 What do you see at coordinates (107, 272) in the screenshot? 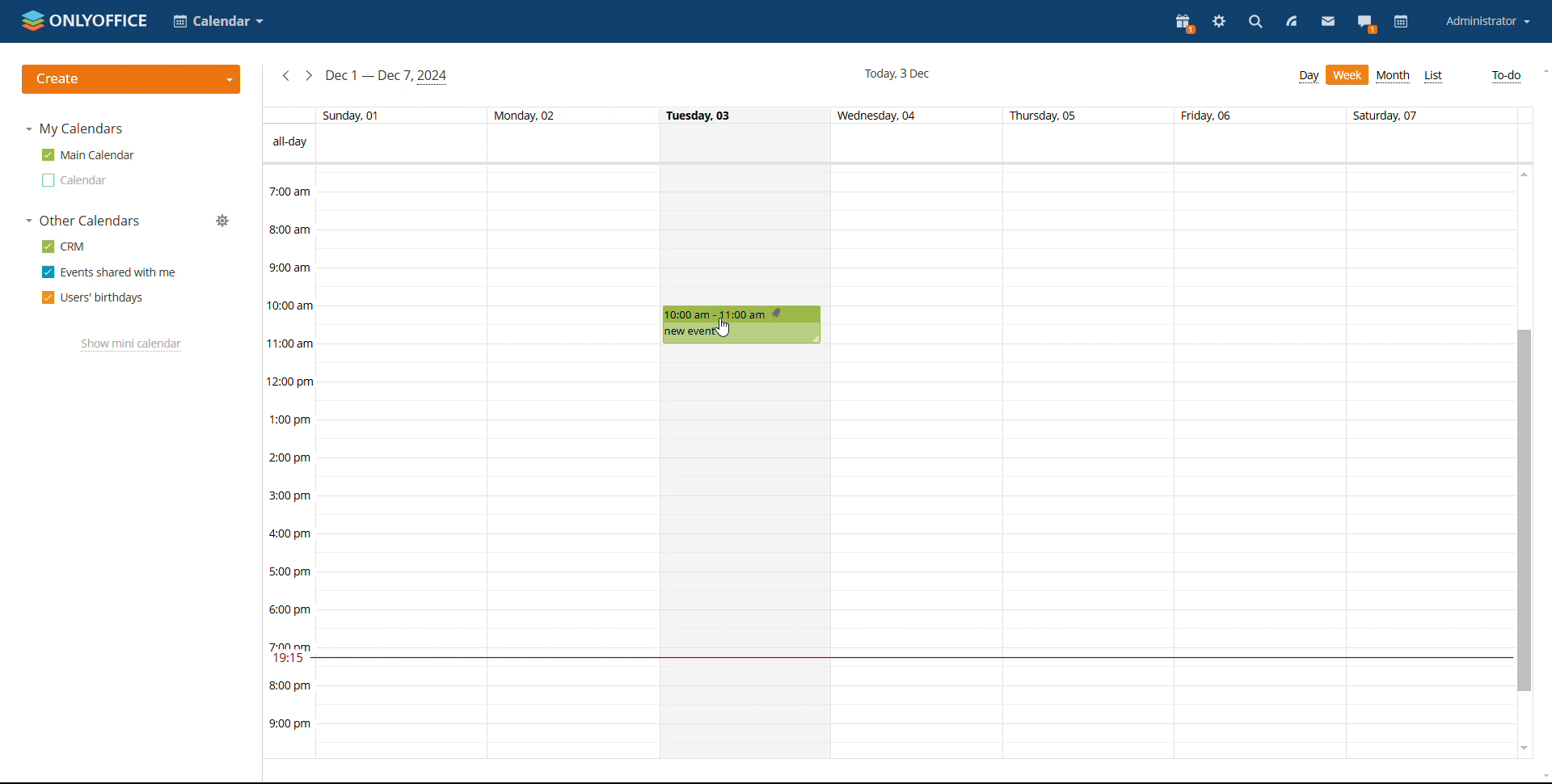
I see `Events shared with me` at bounding box center [107, 272].